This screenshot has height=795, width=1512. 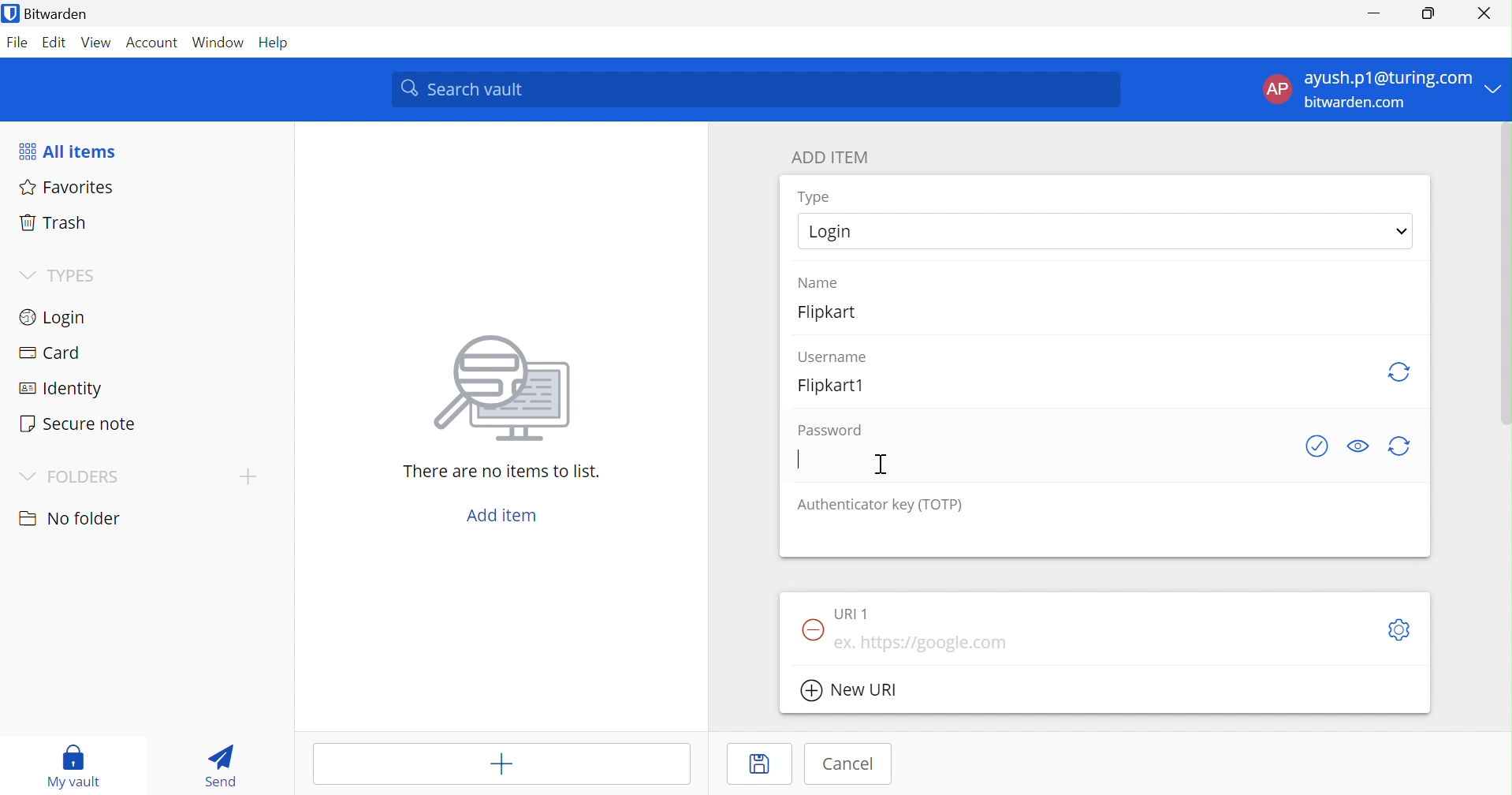 What do you see at coordinates (837, 385) in the screenshot?
I see `Flipkart1` at bounding box center [837, 385].